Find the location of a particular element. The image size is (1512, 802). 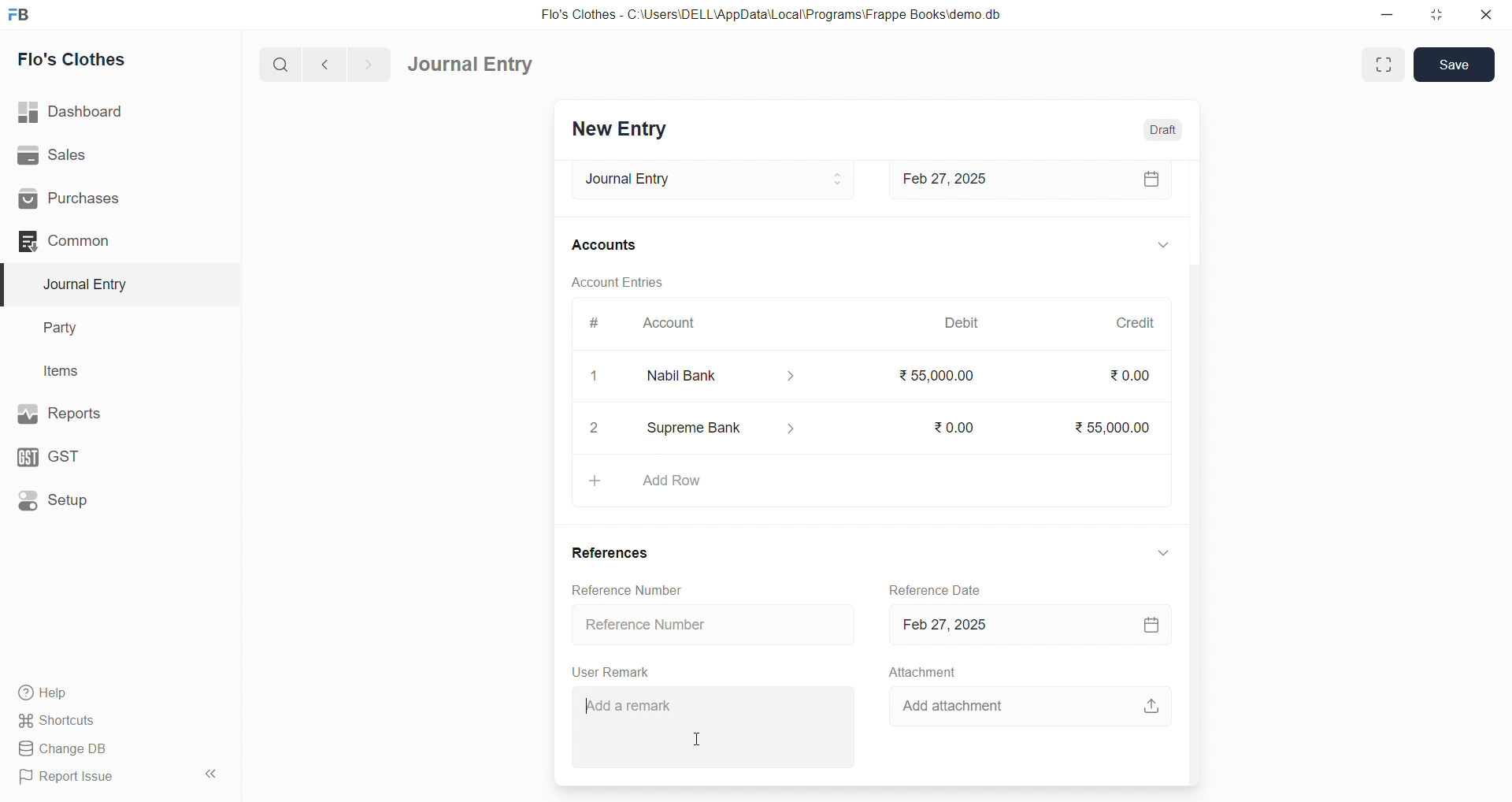

Report Issue is located at coordinates (94, 780).